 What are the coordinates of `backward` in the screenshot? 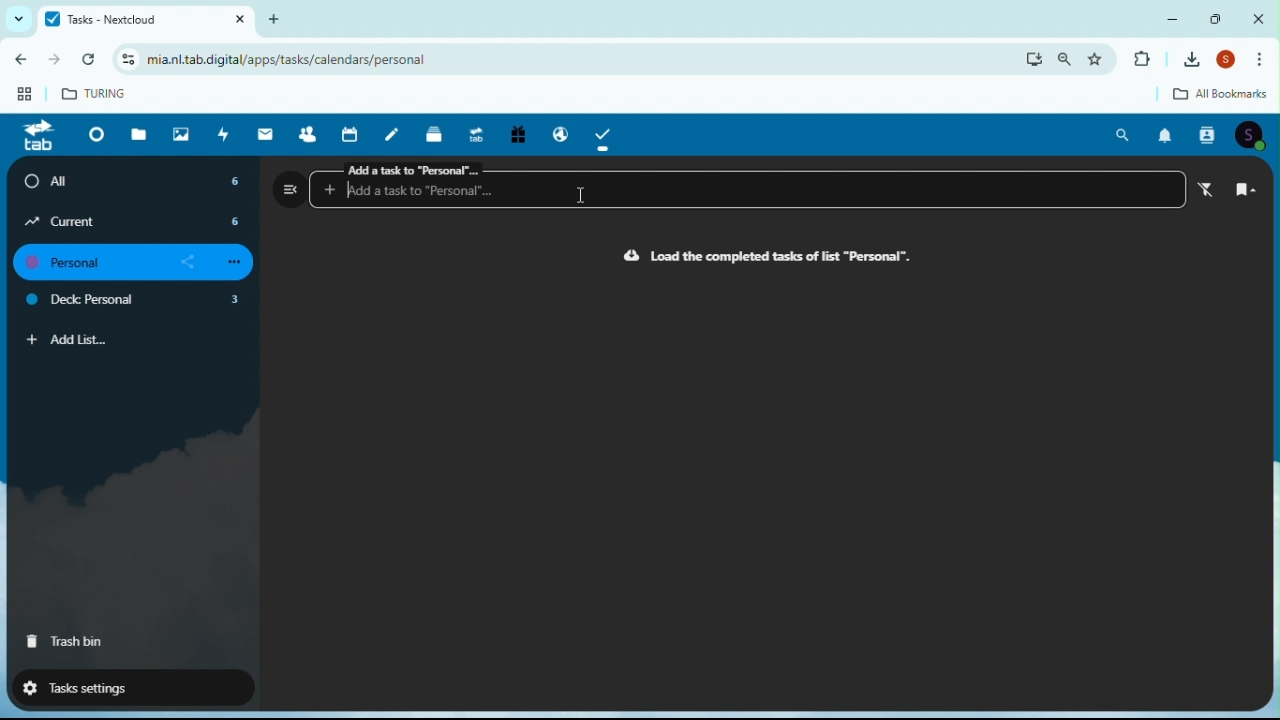 It's located at (18, 63).